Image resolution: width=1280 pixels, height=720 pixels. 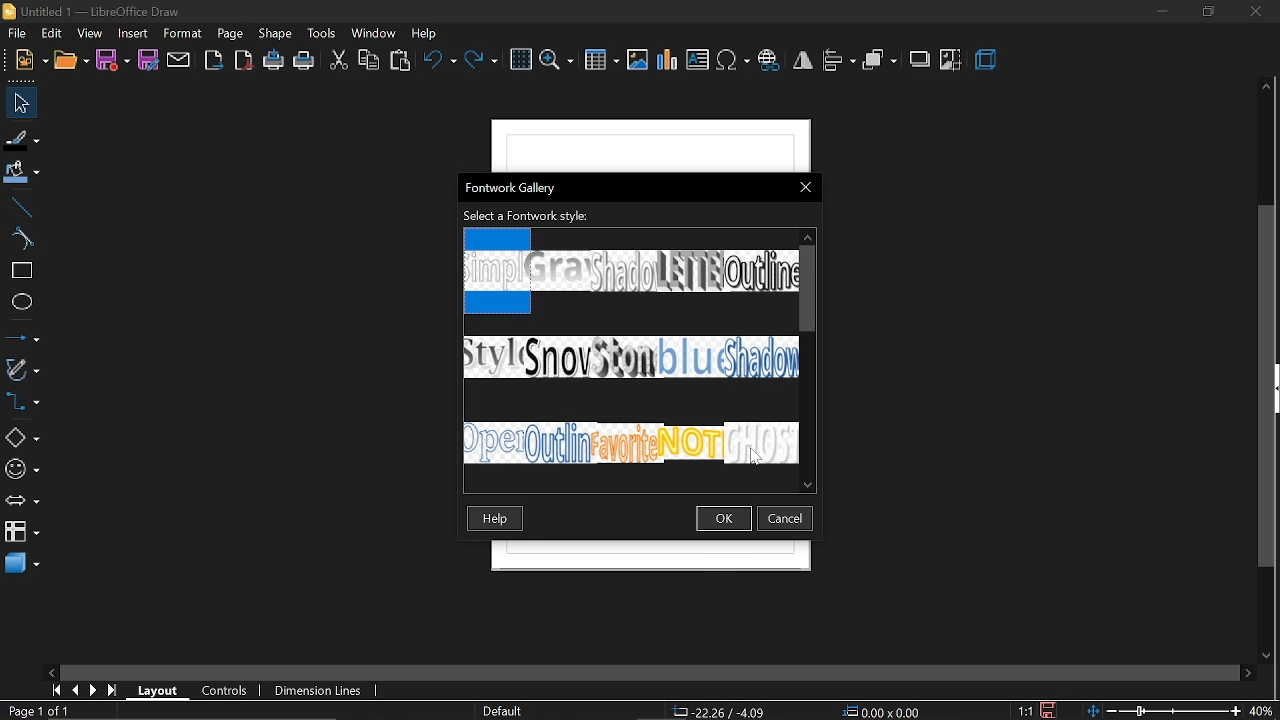 I want to click on fontwork styles, so click(x=628, y=346).